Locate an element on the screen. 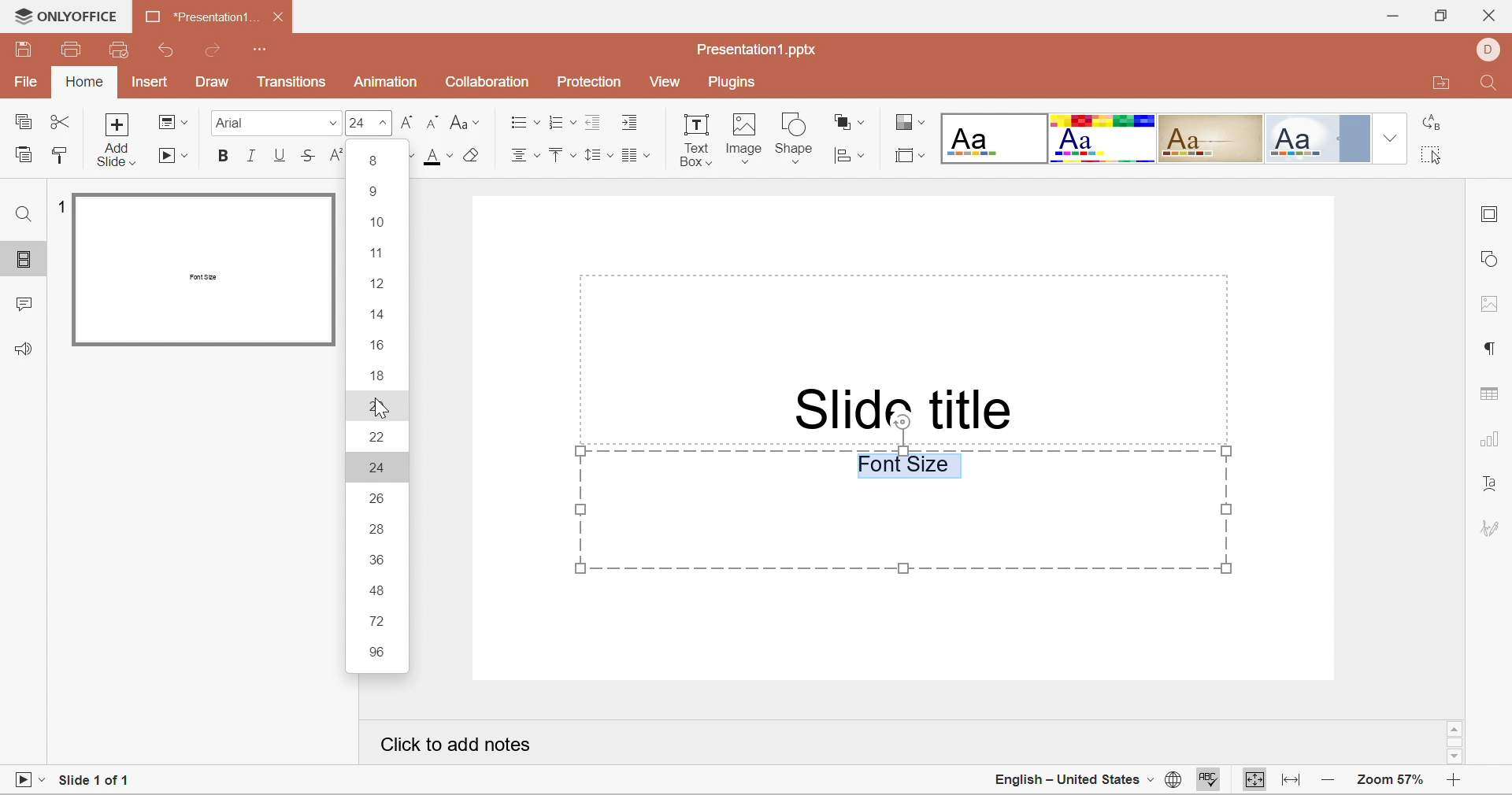 This screenshot has width=1512, height=795. View is located at coordinates (668, 84).